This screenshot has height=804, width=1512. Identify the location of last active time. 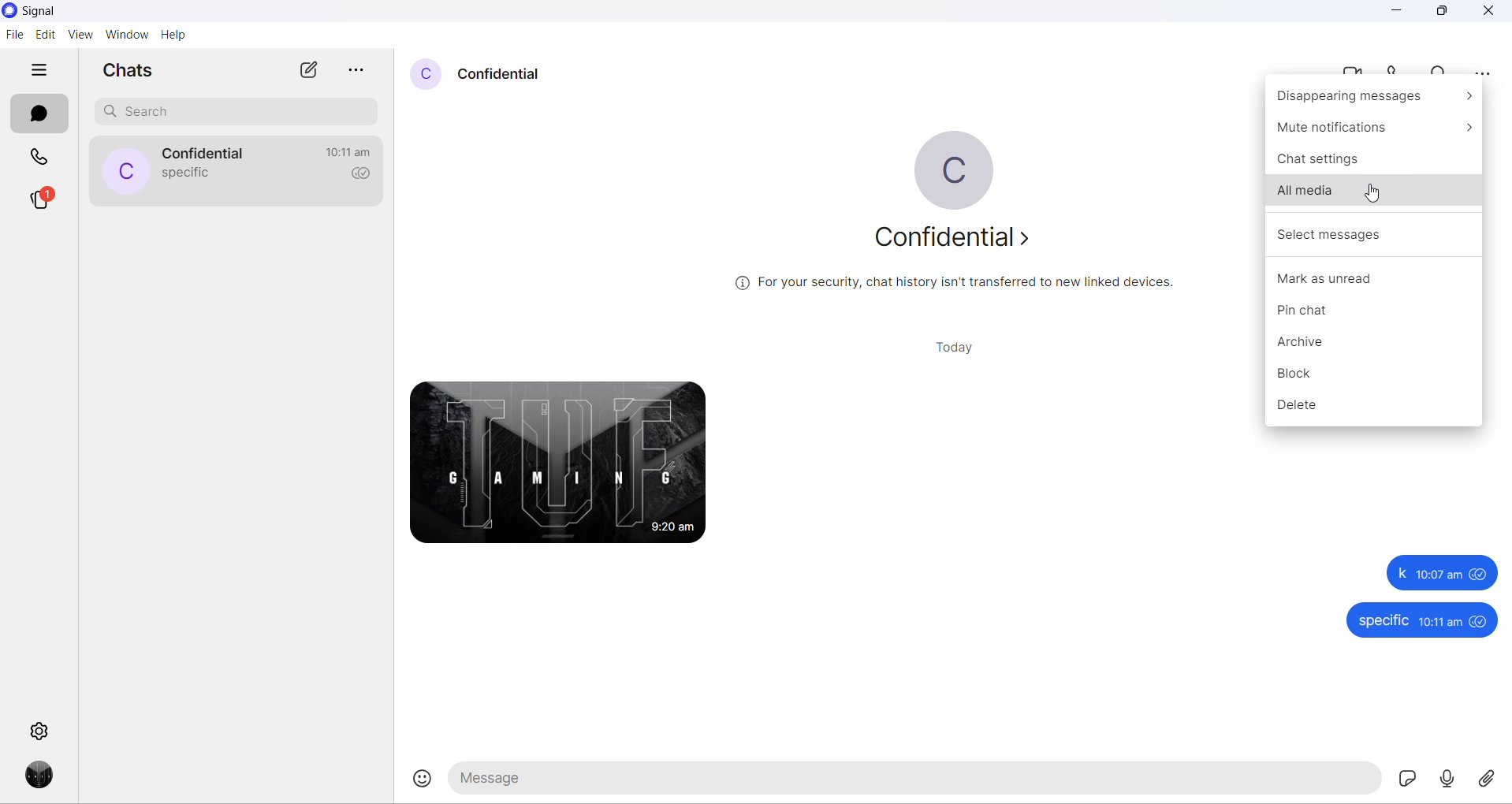
(352, 151).